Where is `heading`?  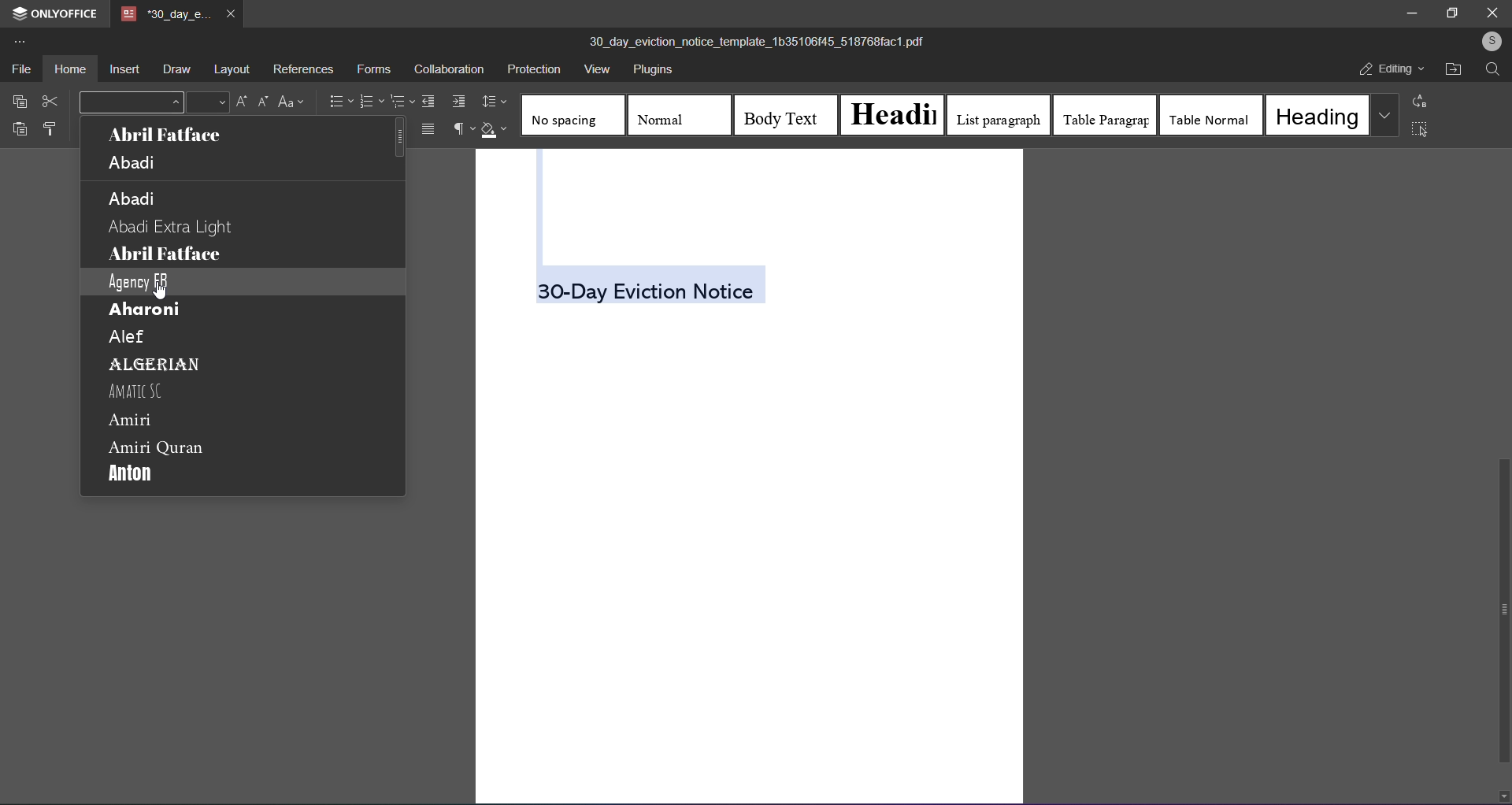 heading is located at coordinates (1316, 115).